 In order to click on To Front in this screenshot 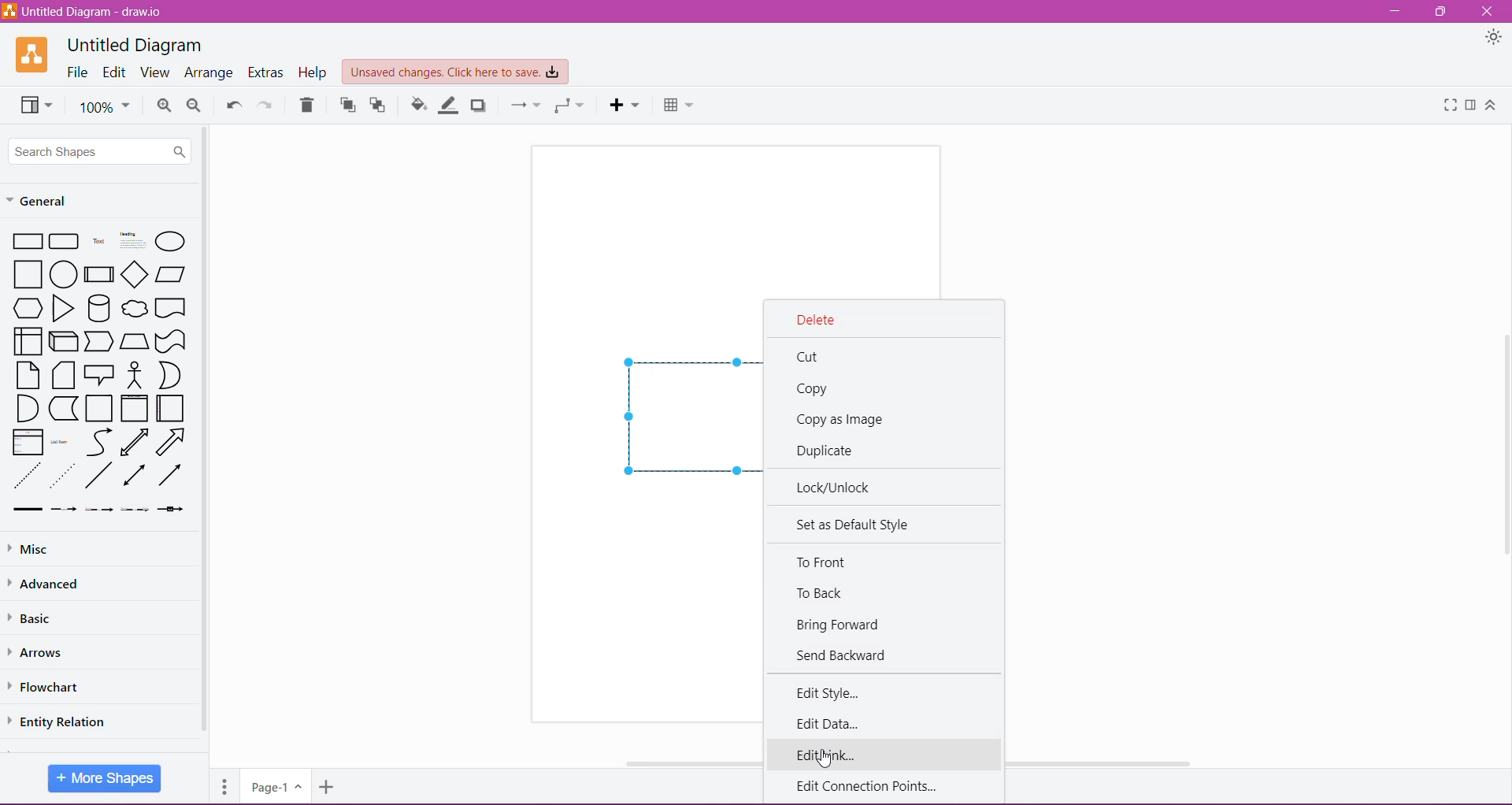, I will do `click(825, 561)`.